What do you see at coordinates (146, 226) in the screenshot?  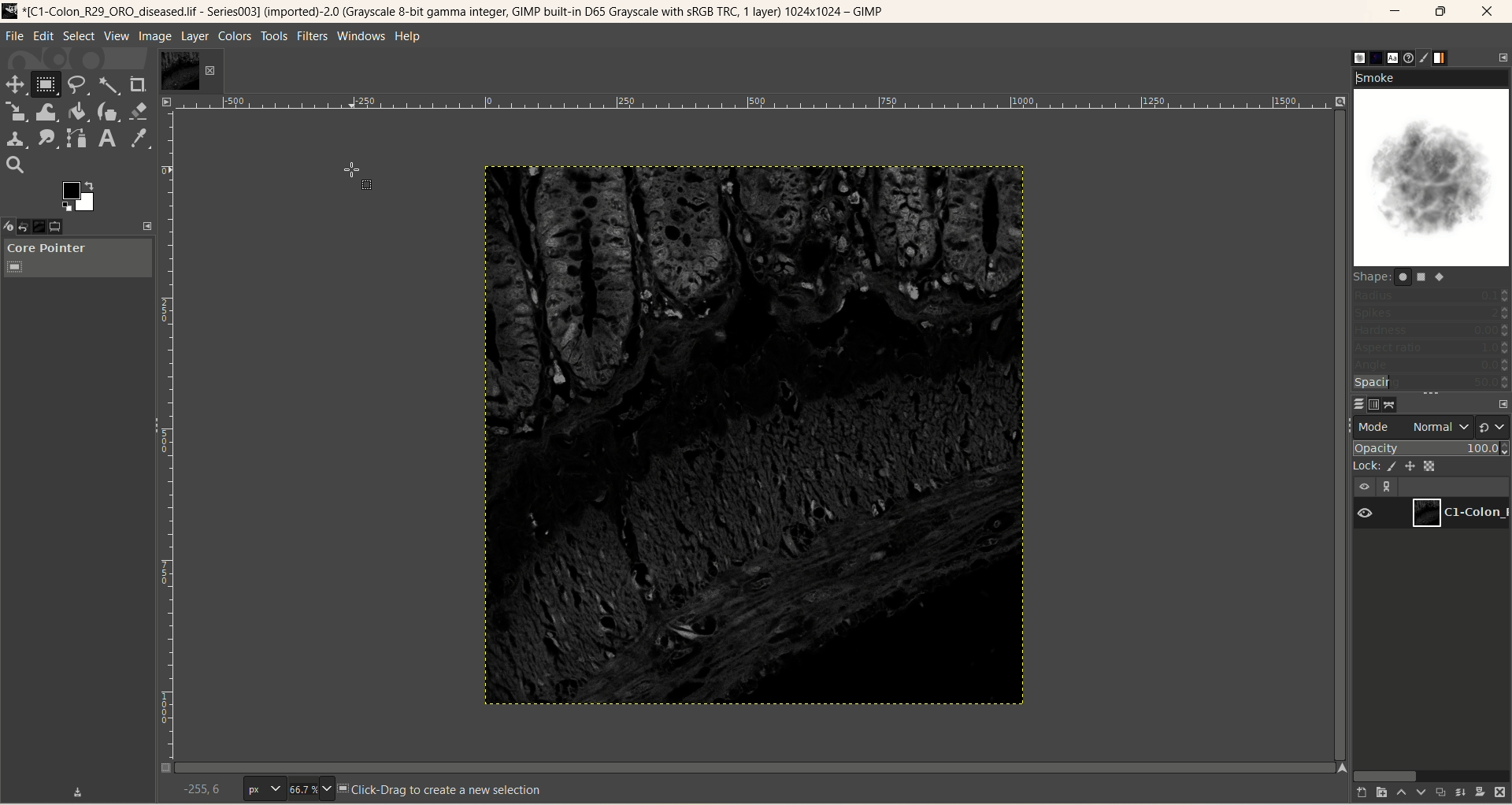 I see `configure this tab` at bounding box center [146, 226].